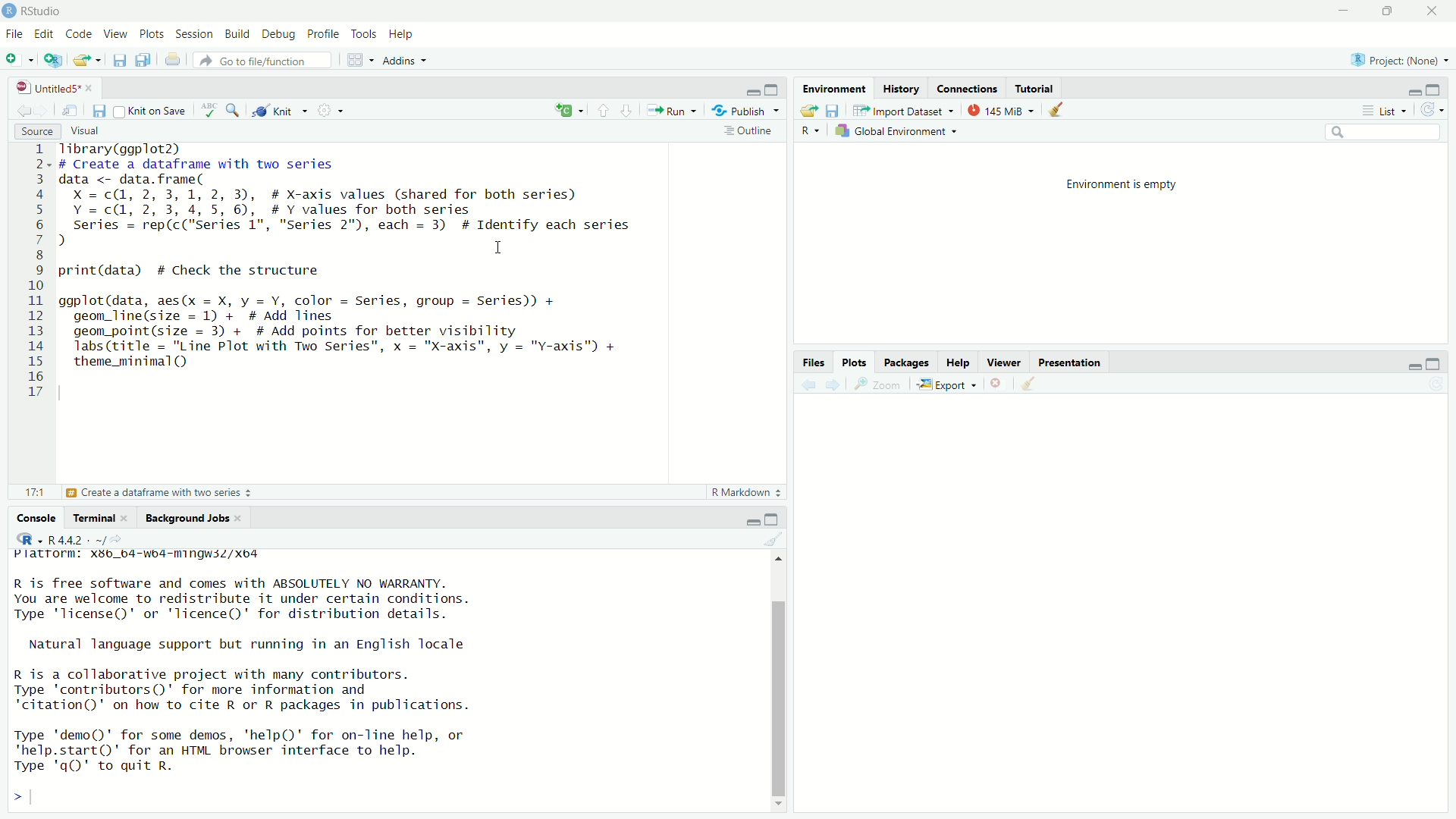 Image resolution: width=1456 pixels, height=819 pixels. What do you see at coordinates (1432, 363) in the screenshot?
I see `Maximize` at bounding box center [1432, 363].